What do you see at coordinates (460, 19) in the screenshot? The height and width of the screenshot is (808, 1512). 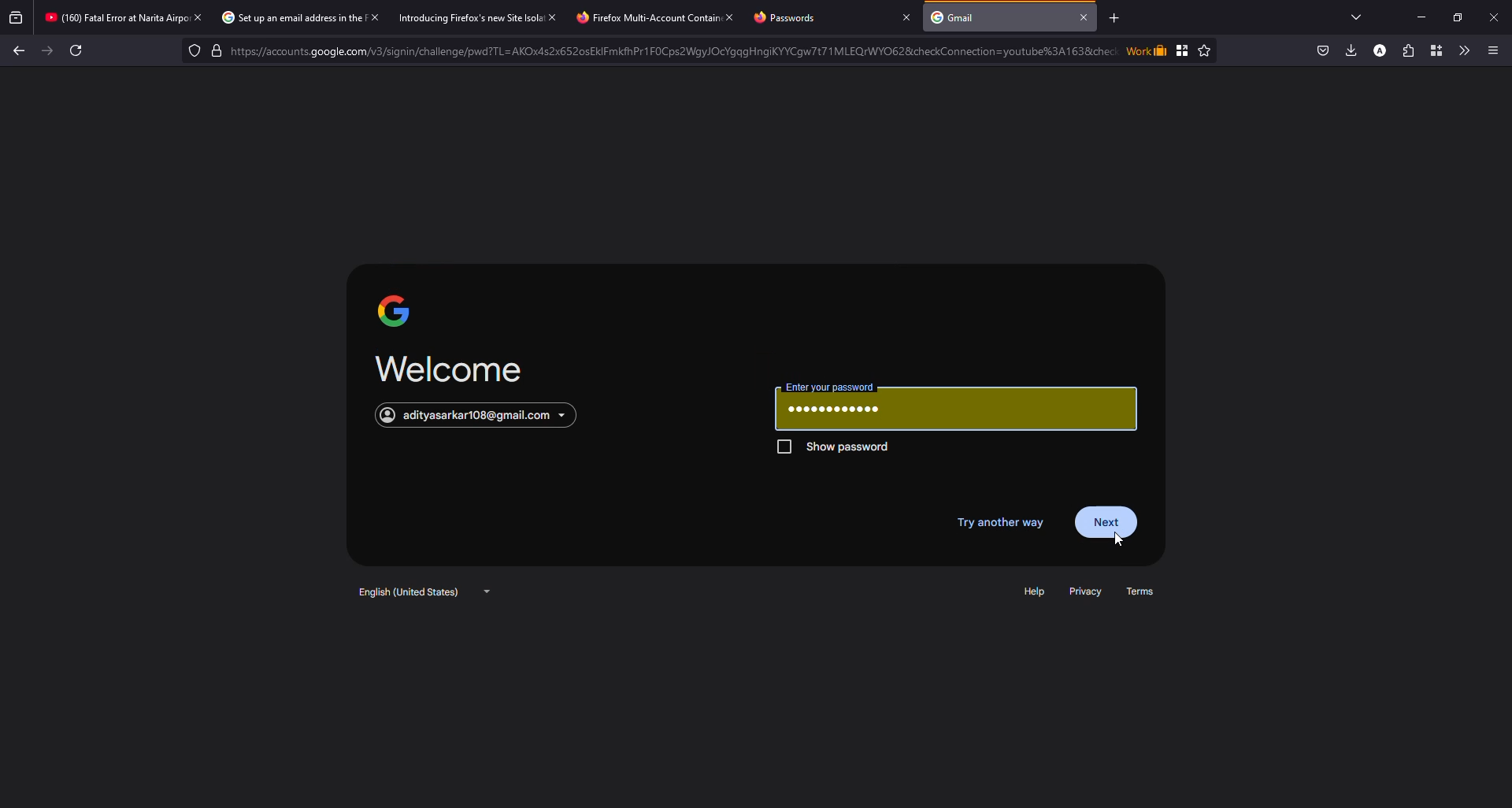 I see `Introducing Firefox's new Site` at bounding box center [460, 19].